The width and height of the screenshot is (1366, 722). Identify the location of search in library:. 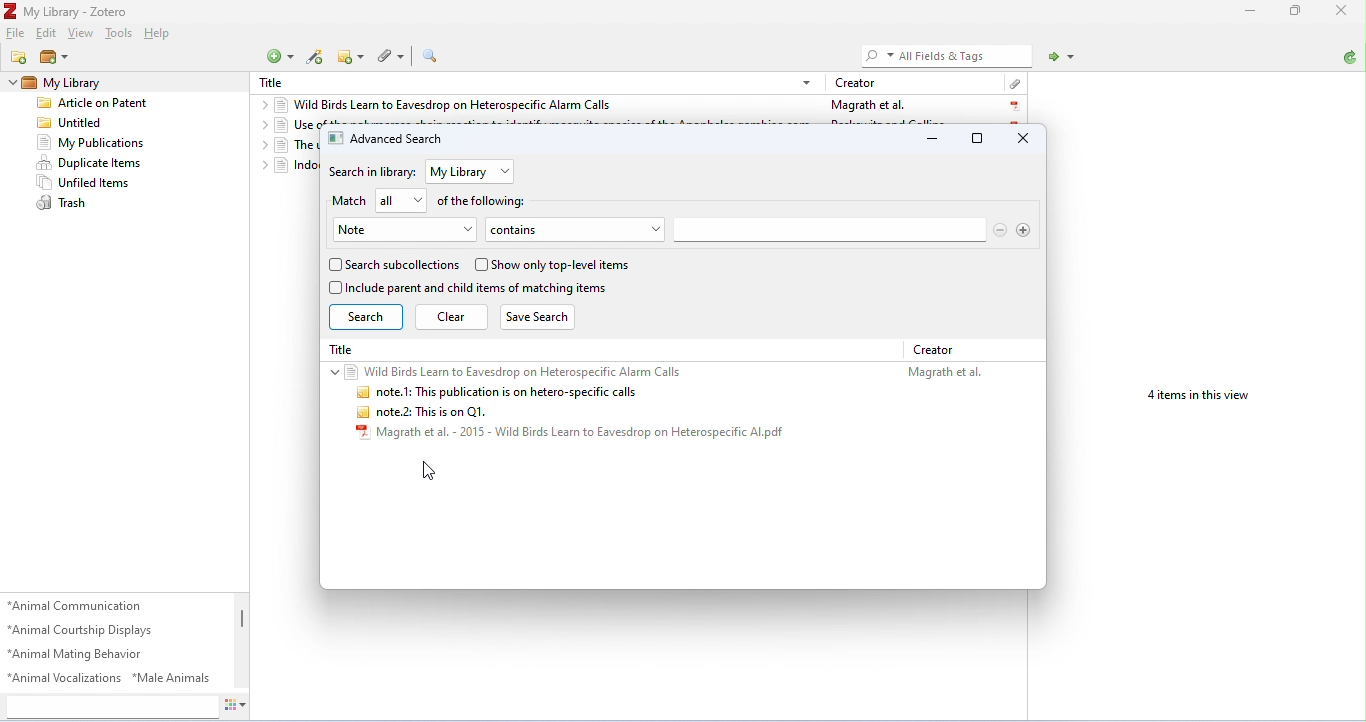
(375, 173).